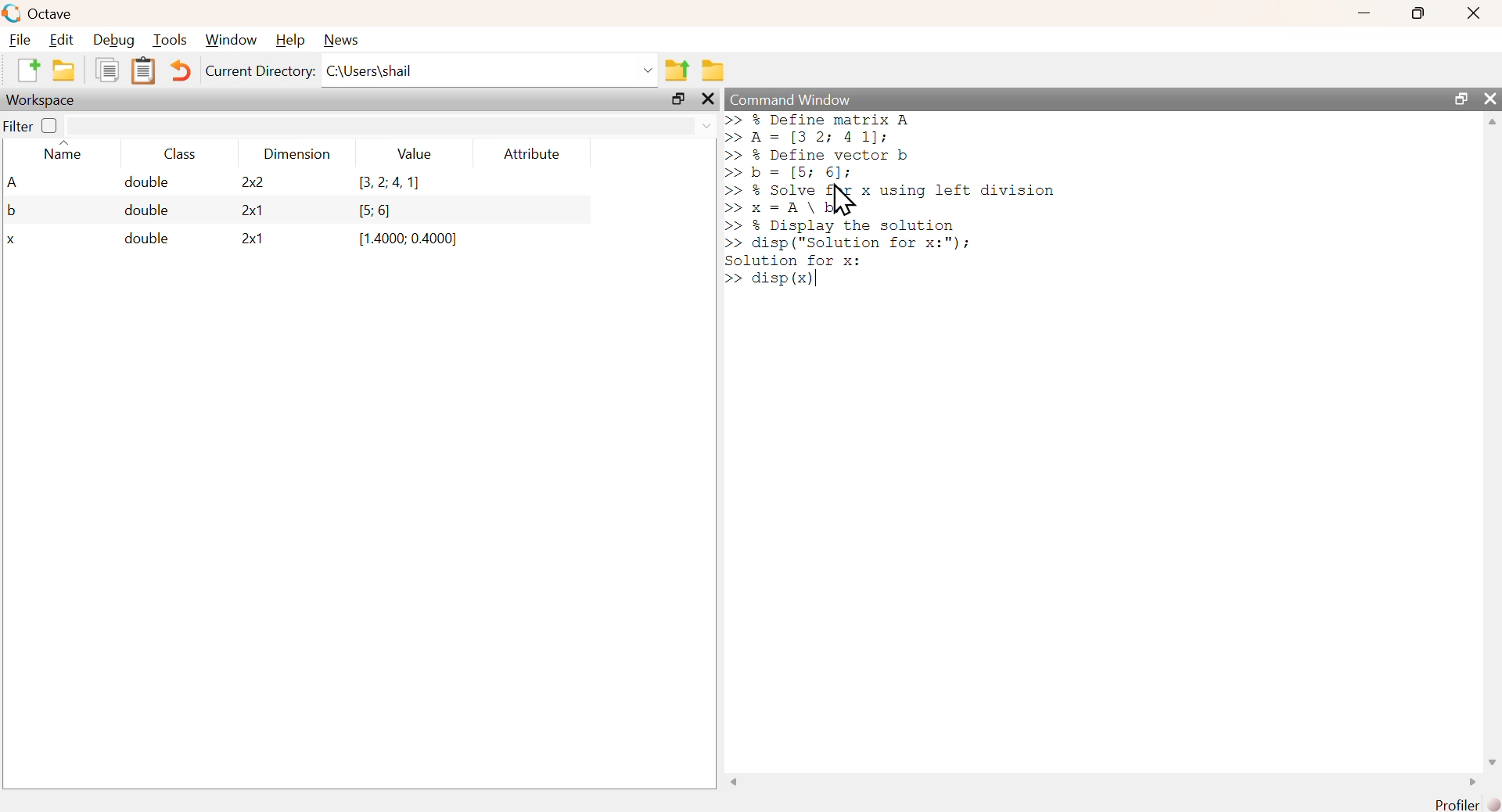  Describe the element at coordinates (490, 70) in the screenshot. I see `C:\Users\shail ` at that location.